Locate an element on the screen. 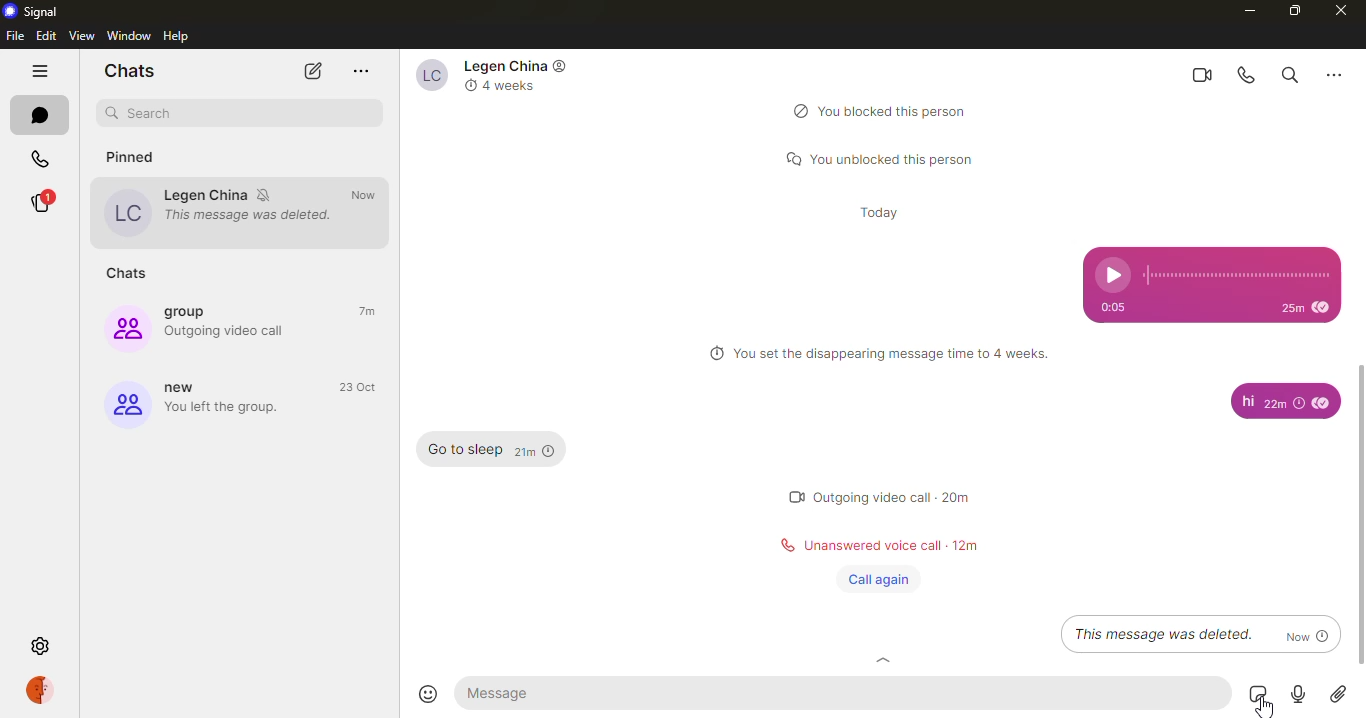  stories is located at coordinates (46, 202).